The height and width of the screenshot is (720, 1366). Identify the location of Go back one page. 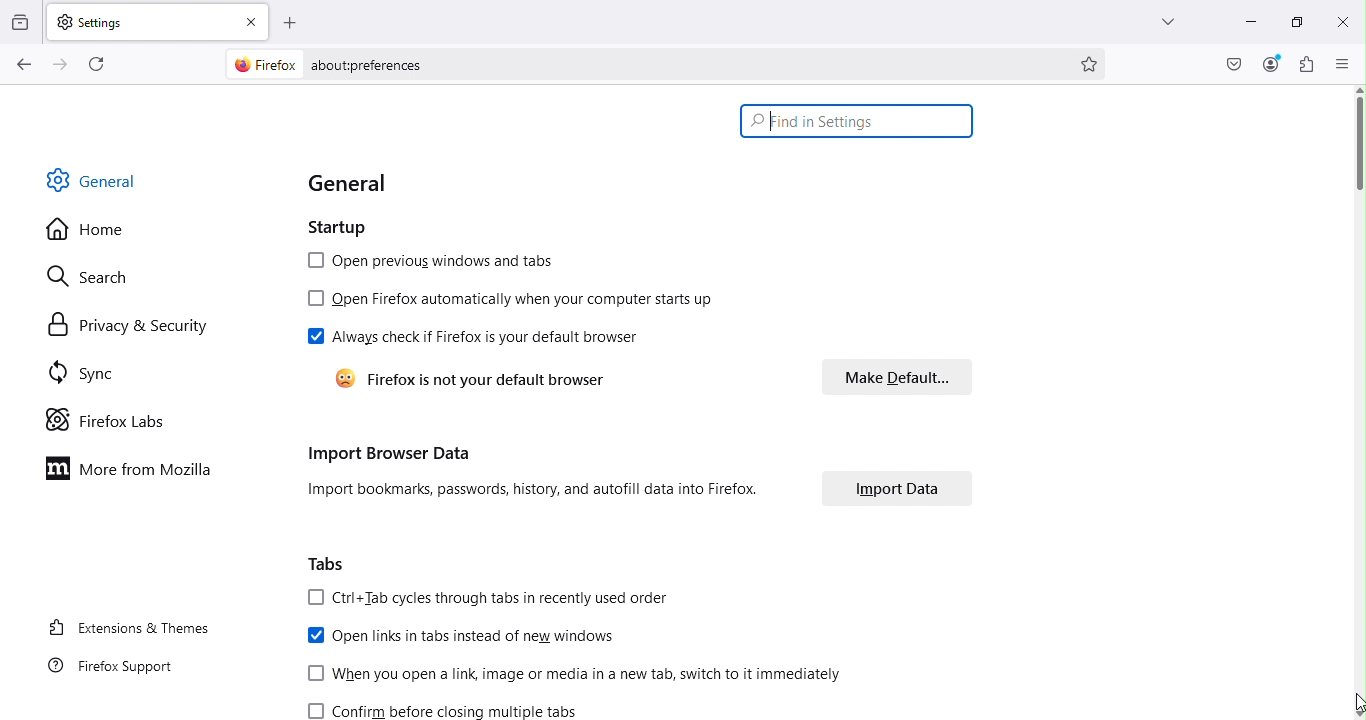
(24, 65).